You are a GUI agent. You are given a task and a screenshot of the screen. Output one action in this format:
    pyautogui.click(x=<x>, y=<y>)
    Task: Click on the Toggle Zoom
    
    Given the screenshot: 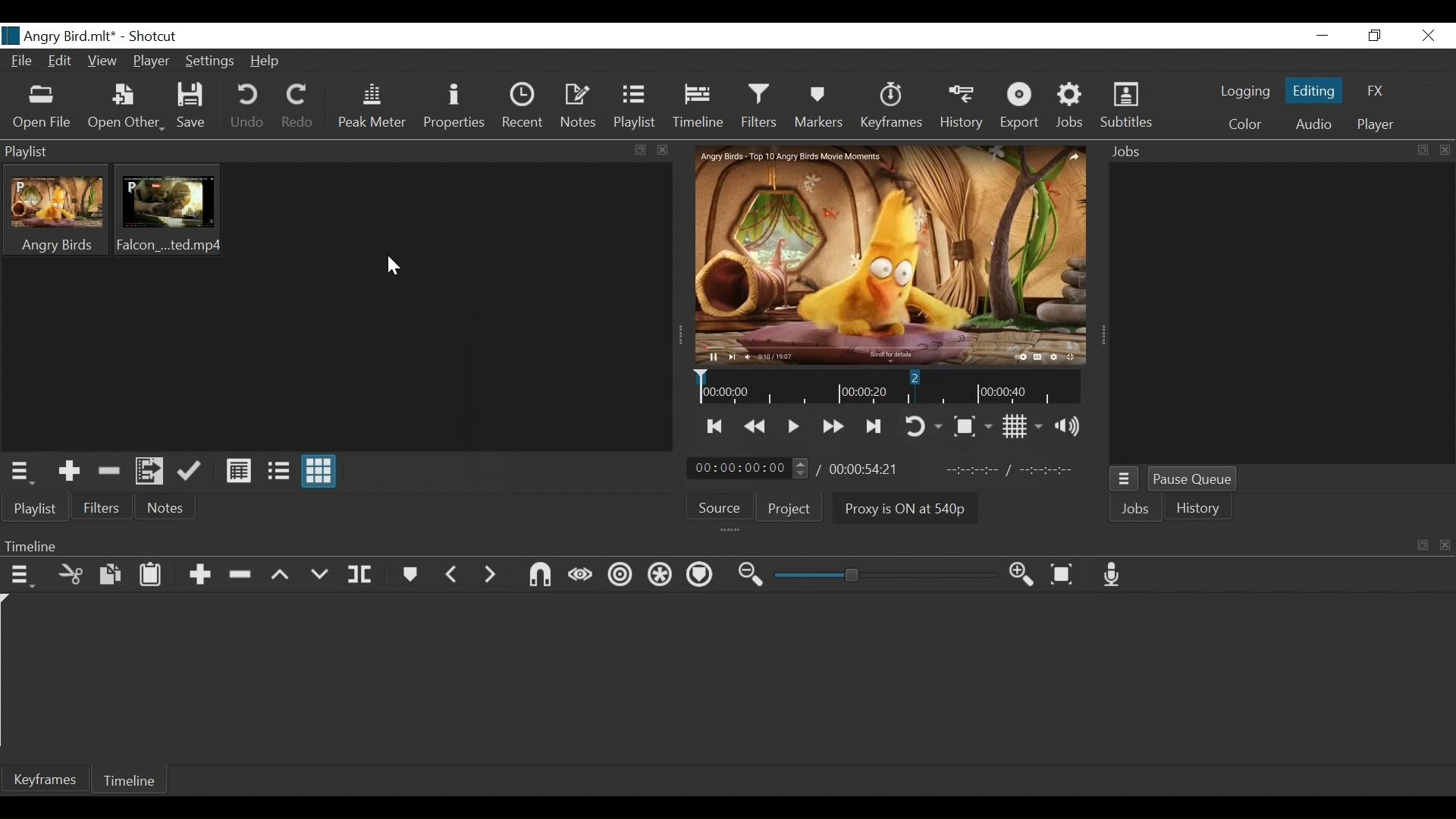 What is the action you would take?
    pyautogui.click(x=970, y=426)
    